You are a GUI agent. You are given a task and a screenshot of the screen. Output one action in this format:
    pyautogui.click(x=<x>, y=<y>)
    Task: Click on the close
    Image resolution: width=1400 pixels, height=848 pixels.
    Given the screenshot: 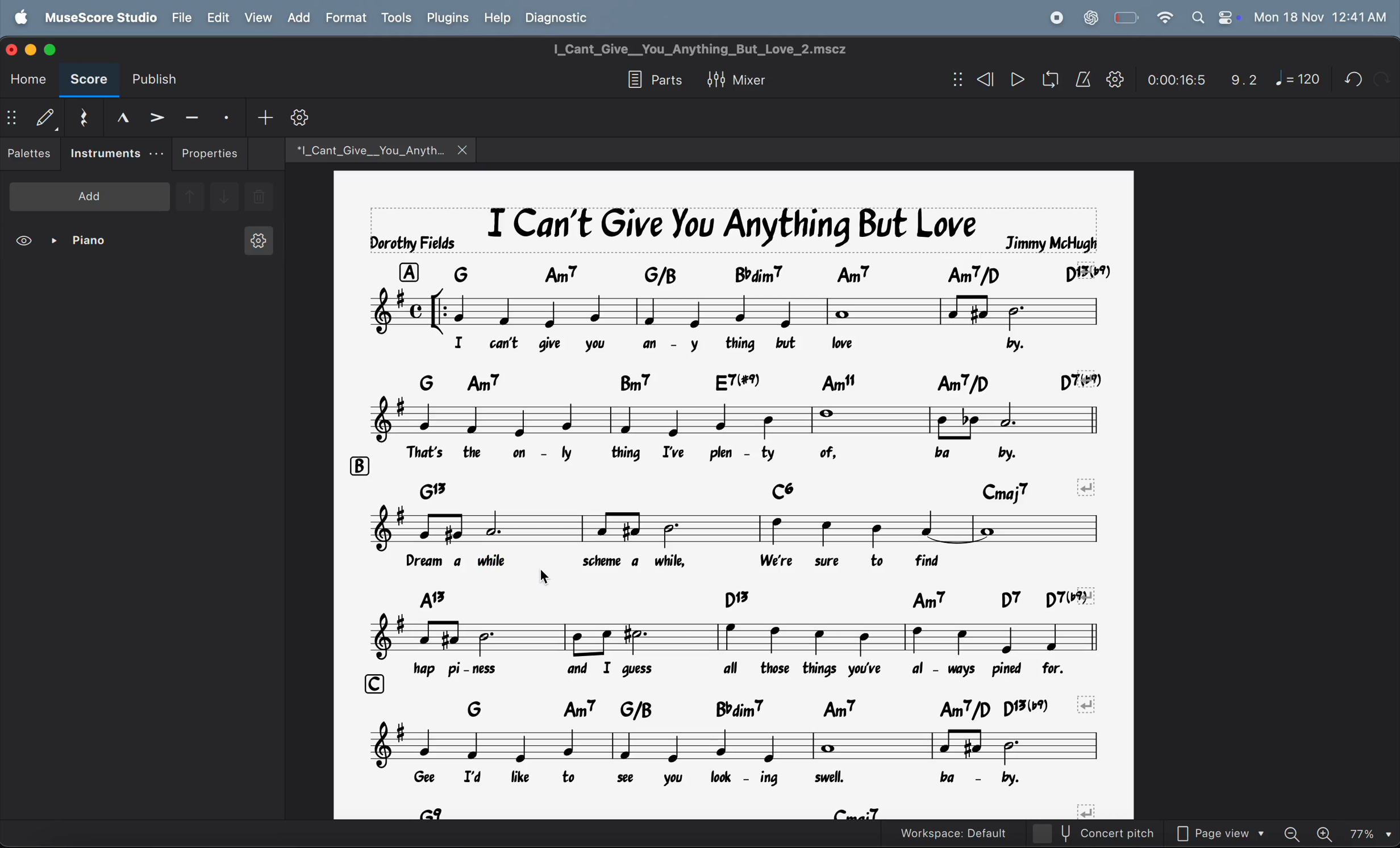 What is the action you would take?
    pyautogui.click(x=14, y=51)
    